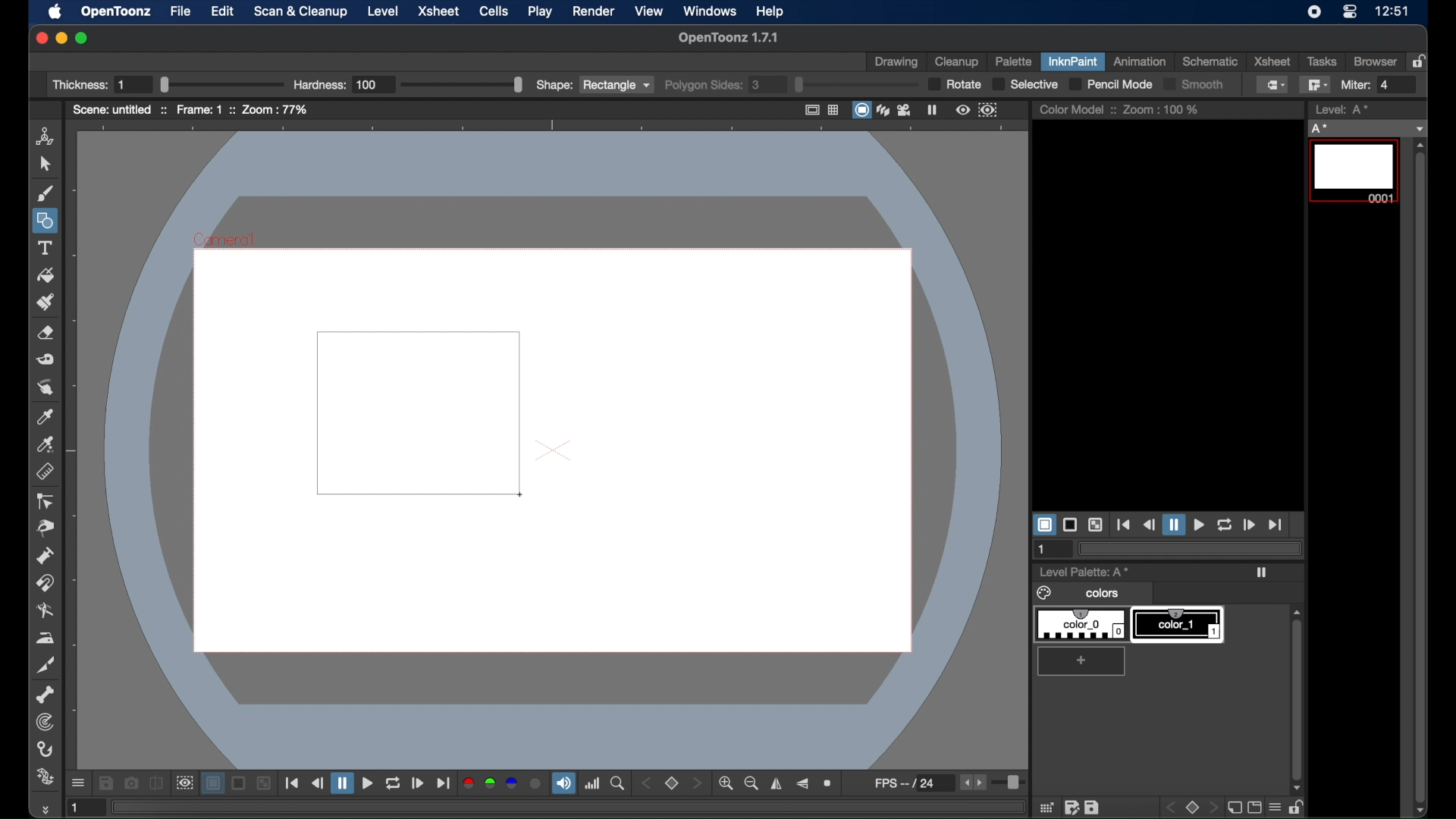  What do you see at coordinates (105, 783) in the screenshot?
I see `save images` at bounding box center [105, 783].